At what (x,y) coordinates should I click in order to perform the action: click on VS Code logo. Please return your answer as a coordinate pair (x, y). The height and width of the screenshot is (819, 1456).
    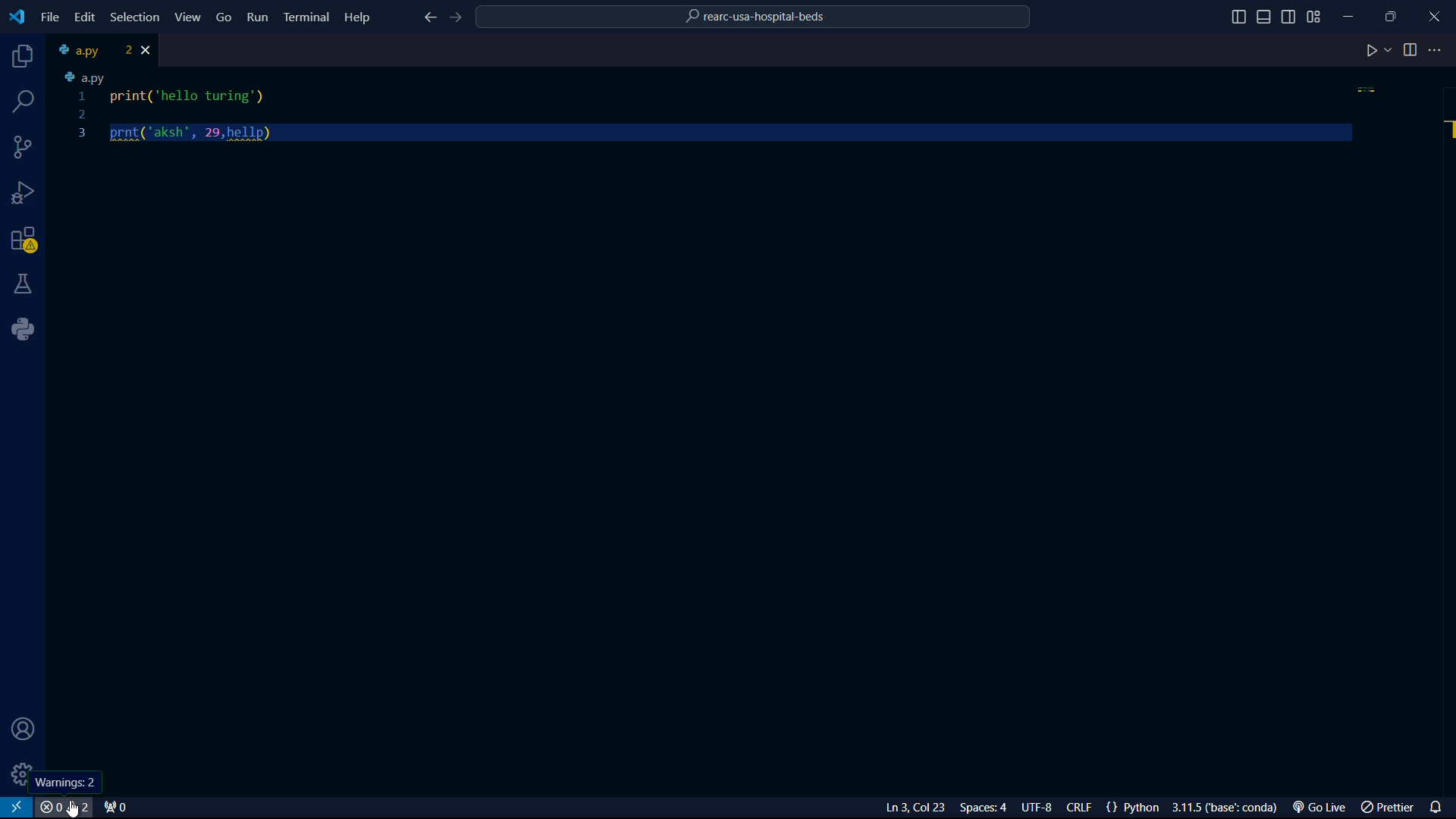
    Looking at the image, I should click on (15, 15).